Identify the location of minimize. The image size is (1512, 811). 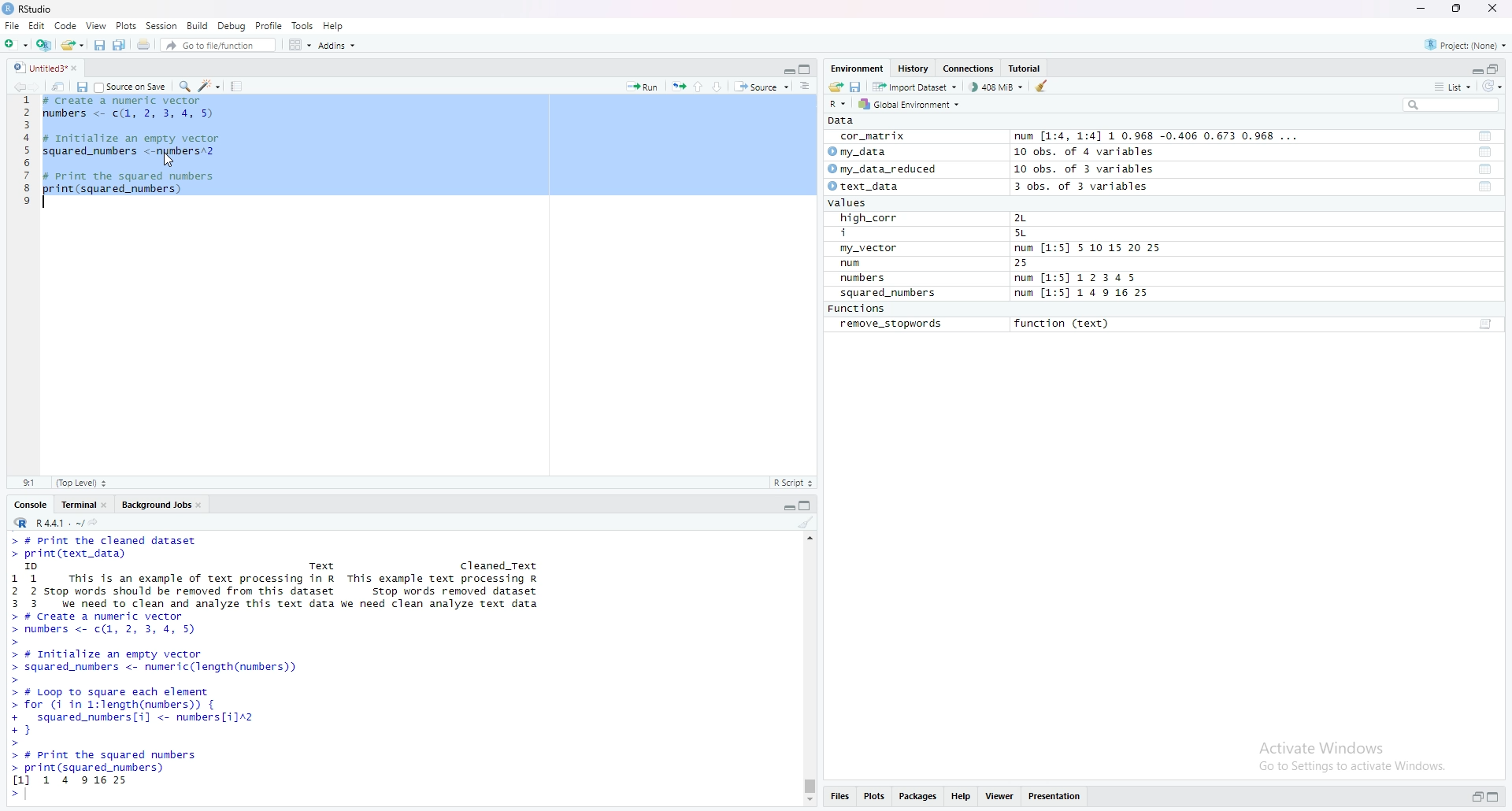
(1475, 68).